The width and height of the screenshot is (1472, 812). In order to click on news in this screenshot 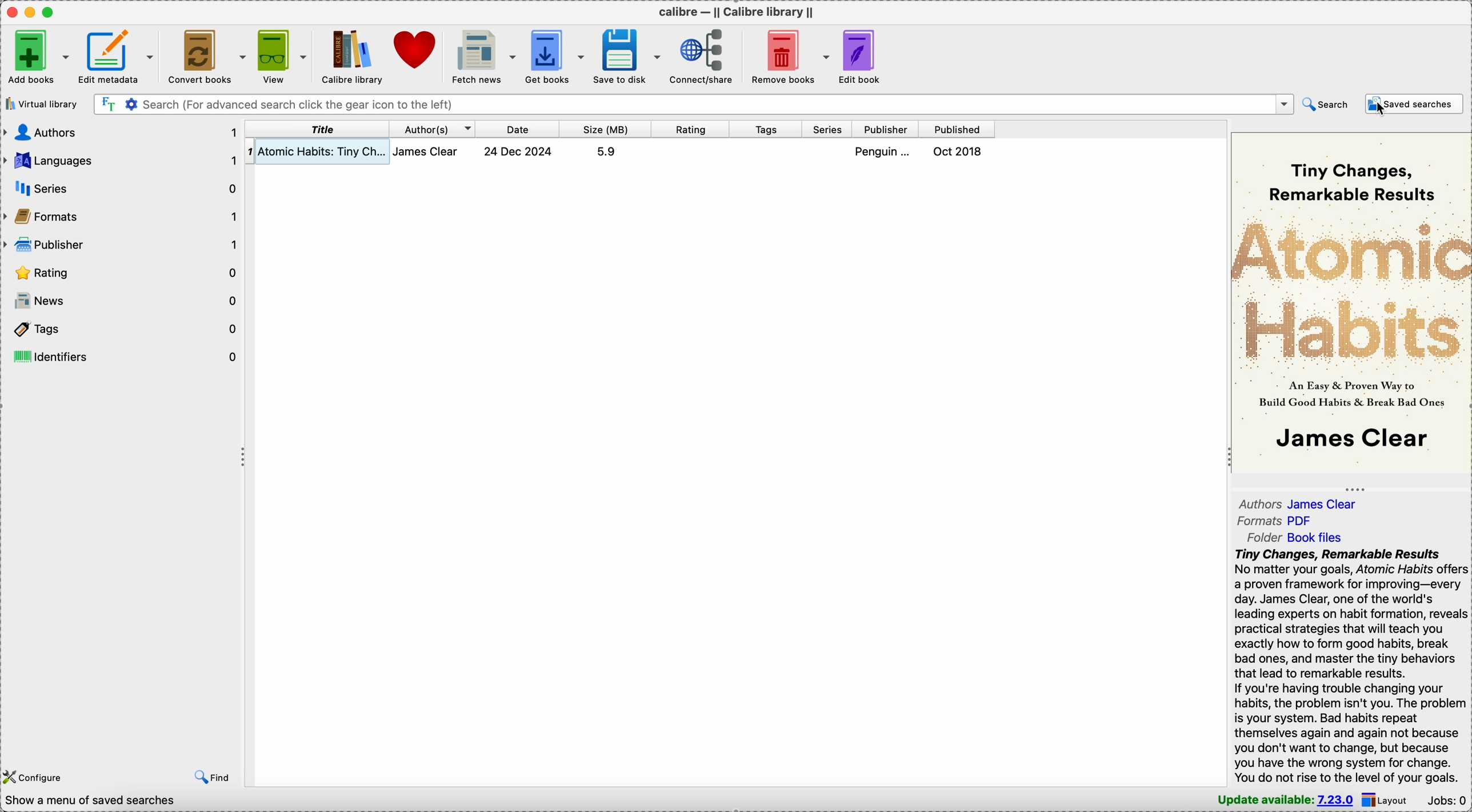, I will do `click(122, 301)`.